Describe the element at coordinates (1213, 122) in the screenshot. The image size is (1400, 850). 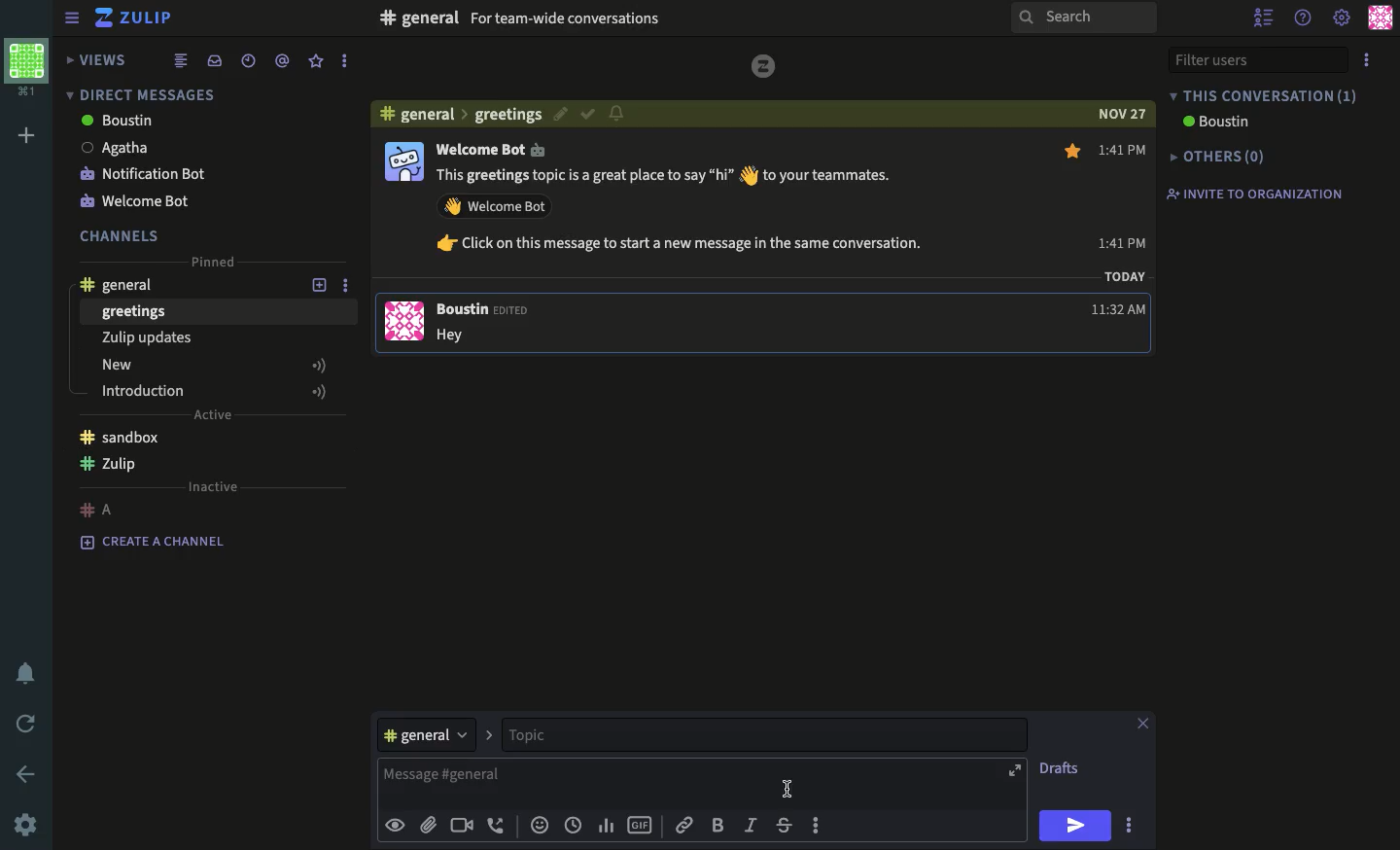
I see `boustin` at that location.